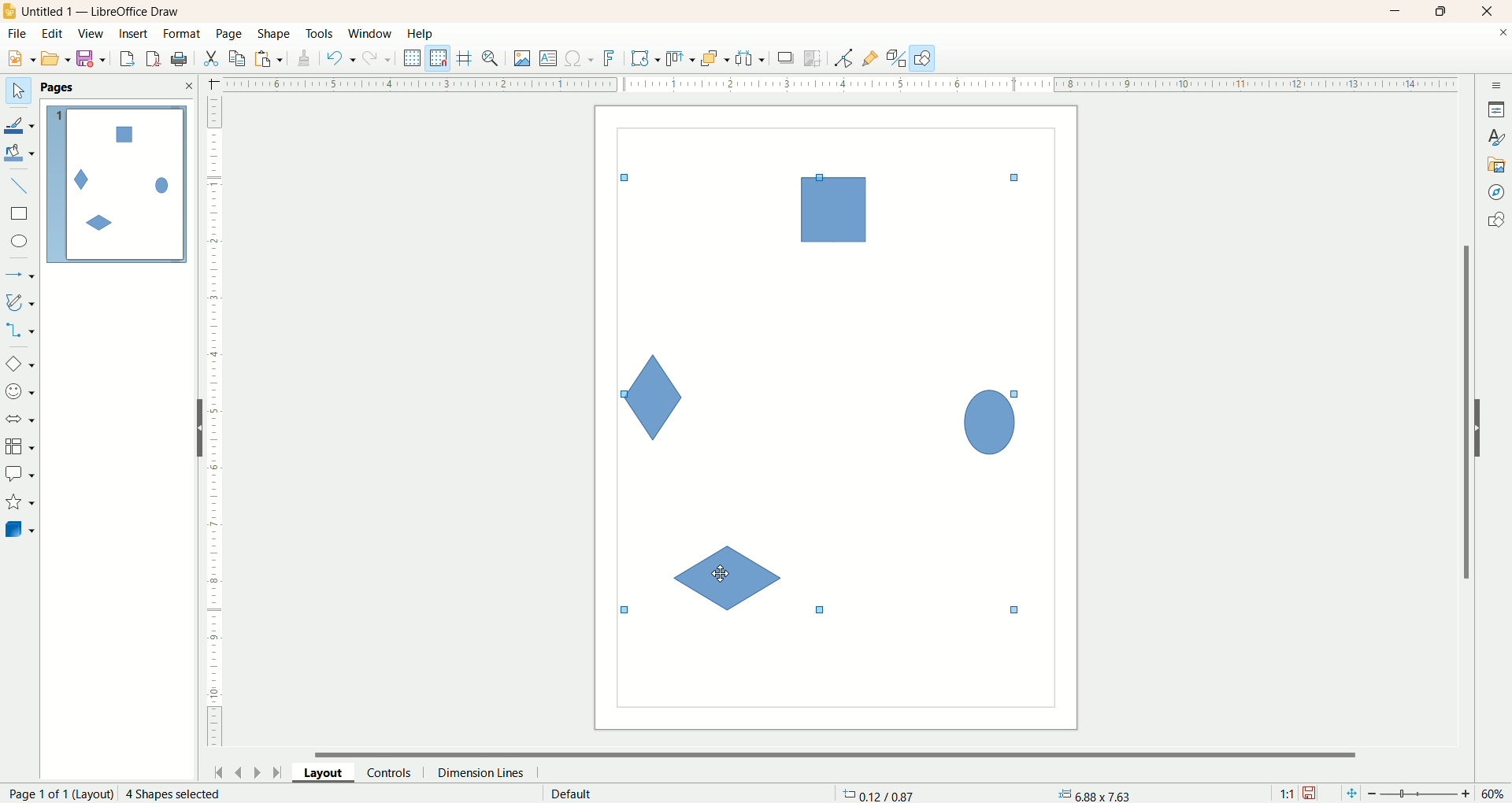 The height and width of the screenshot is (803, 1512). I want to click on symbol shape, so click(22, 393).